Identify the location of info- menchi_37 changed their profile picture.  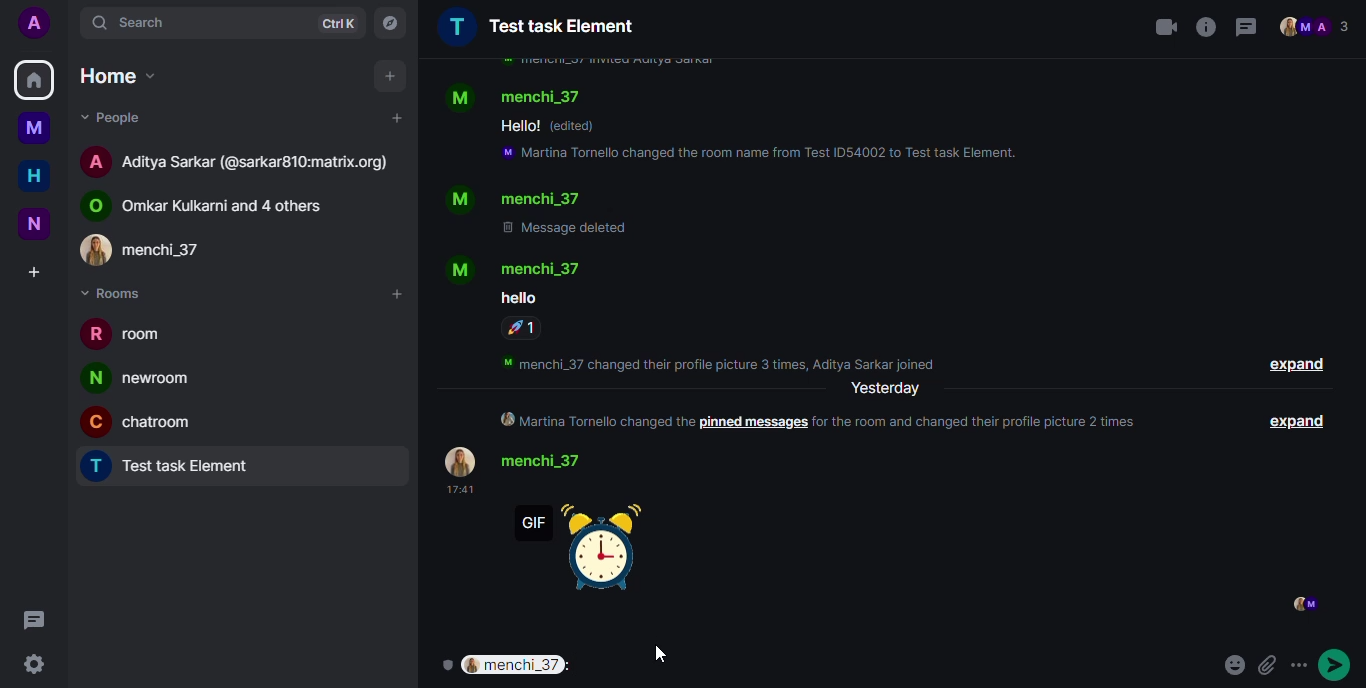
(727, 361).